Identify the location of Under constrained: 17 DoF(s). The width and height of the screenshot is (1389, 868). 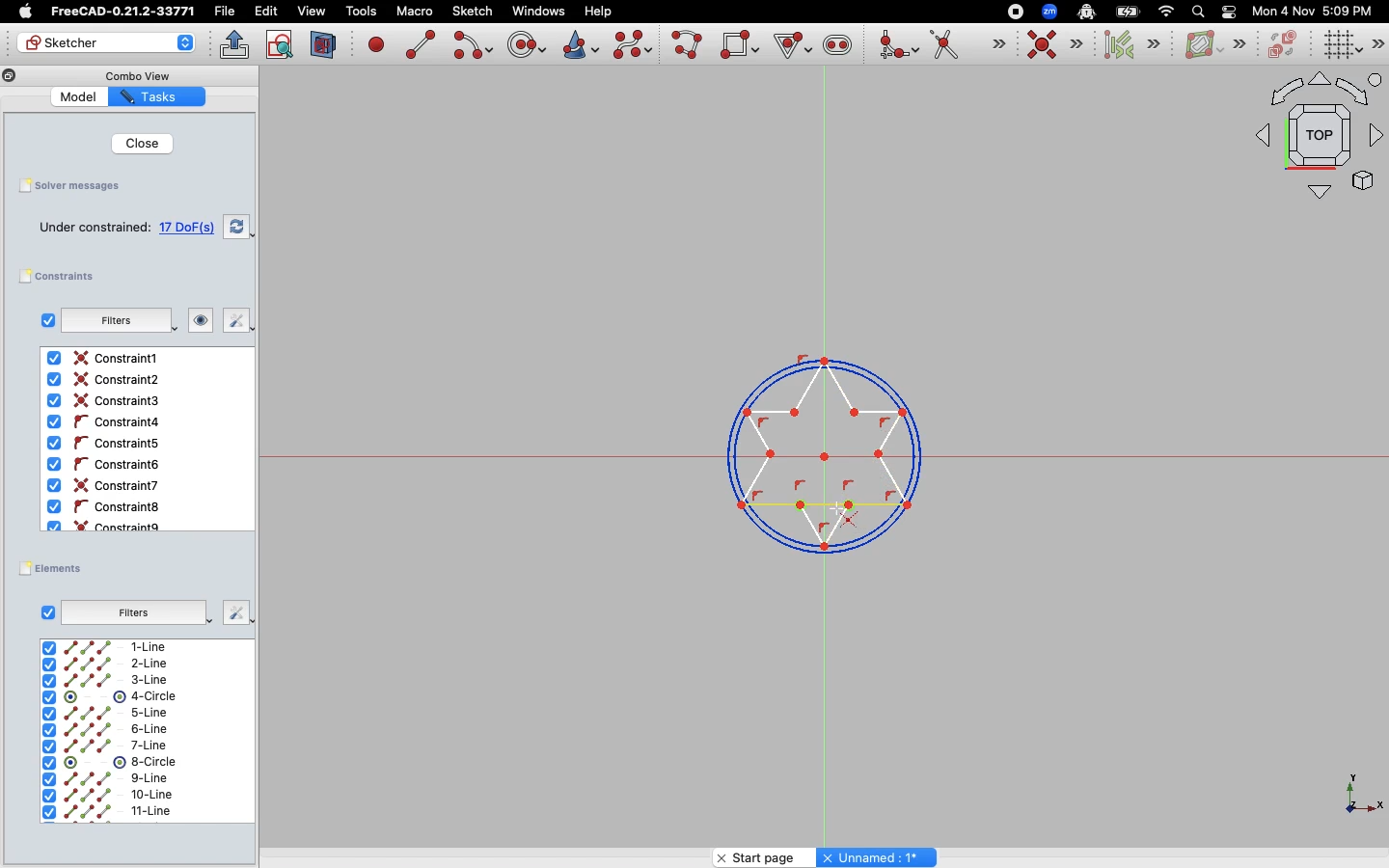
(126, 227).